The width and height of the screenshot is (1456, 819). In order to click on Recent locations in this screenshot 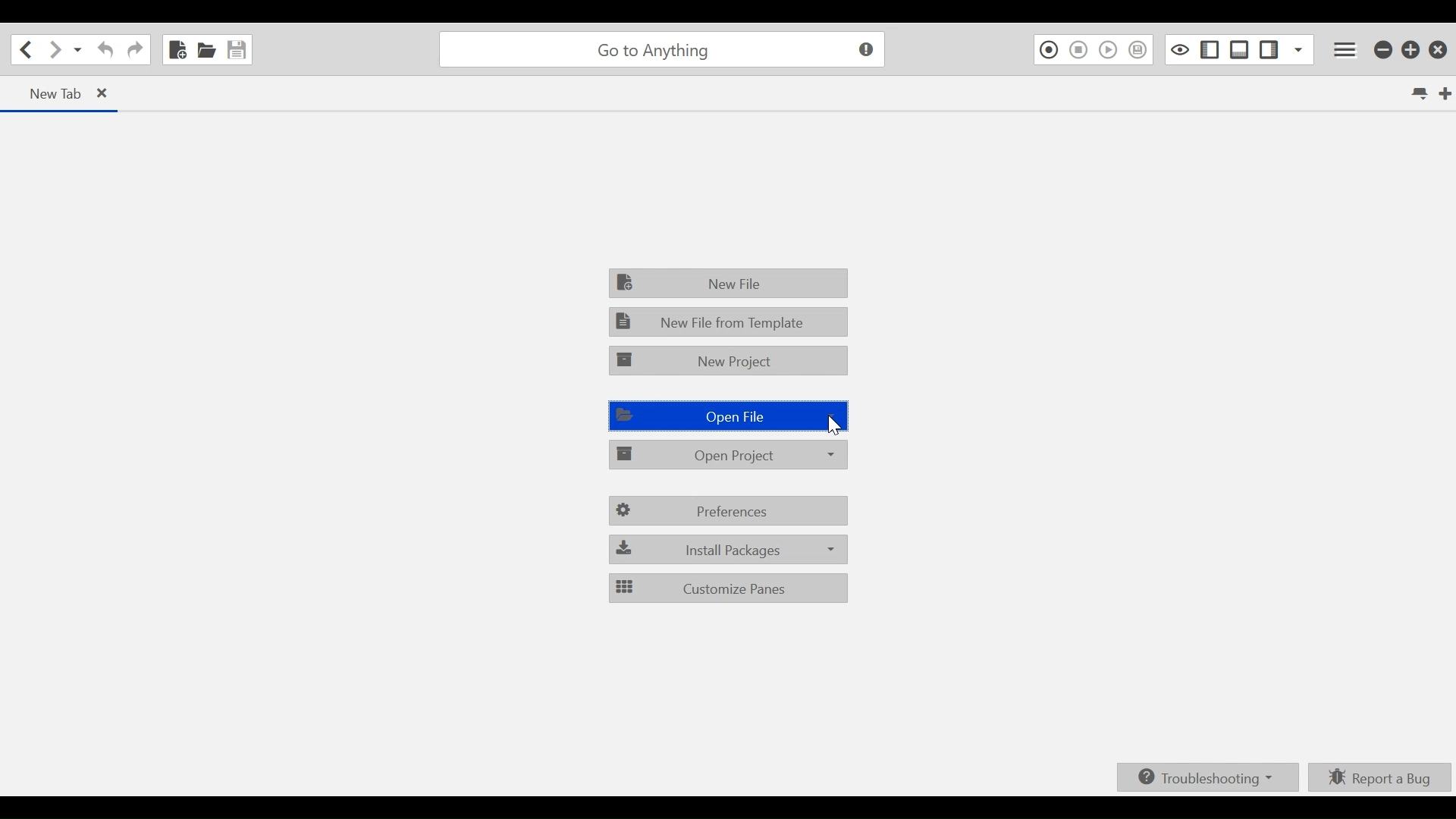, I will do `click(78, 50)`.